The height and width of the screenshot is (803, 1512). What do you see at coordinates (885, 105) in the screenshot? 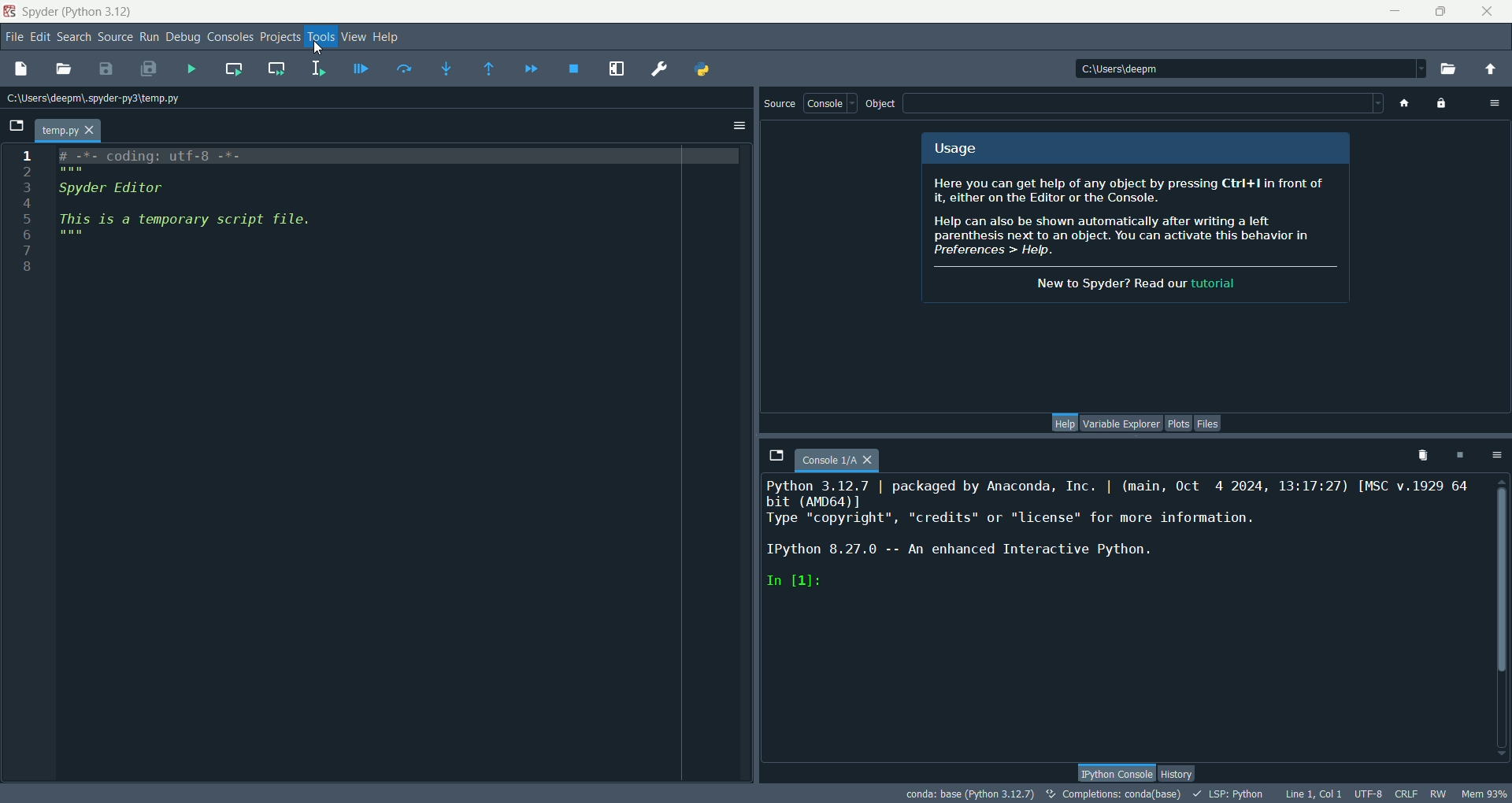
I see `object` at bounding box center [885, 105].